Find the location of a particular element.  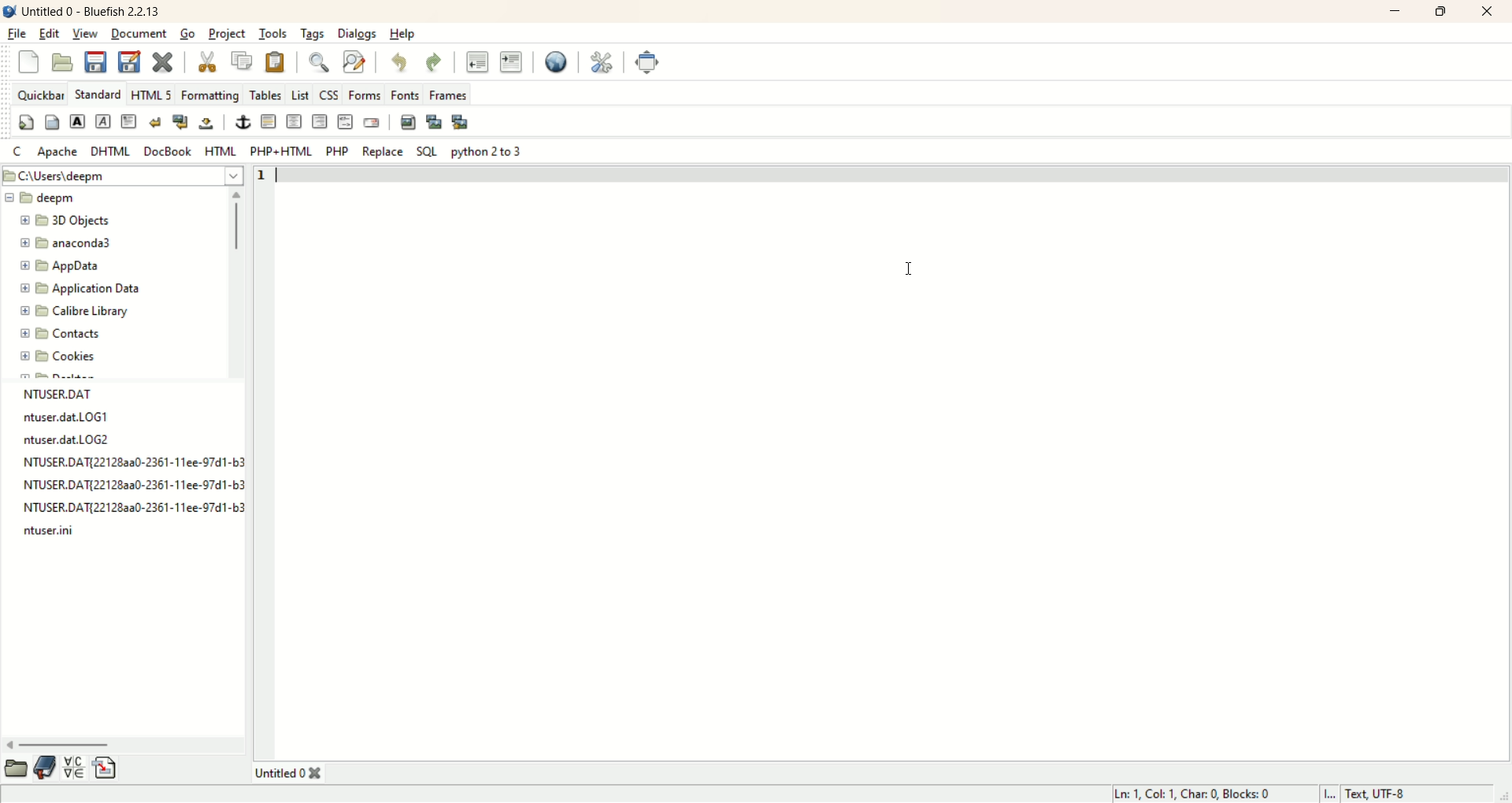

advance find and replace is located at coordinates (354, 63).